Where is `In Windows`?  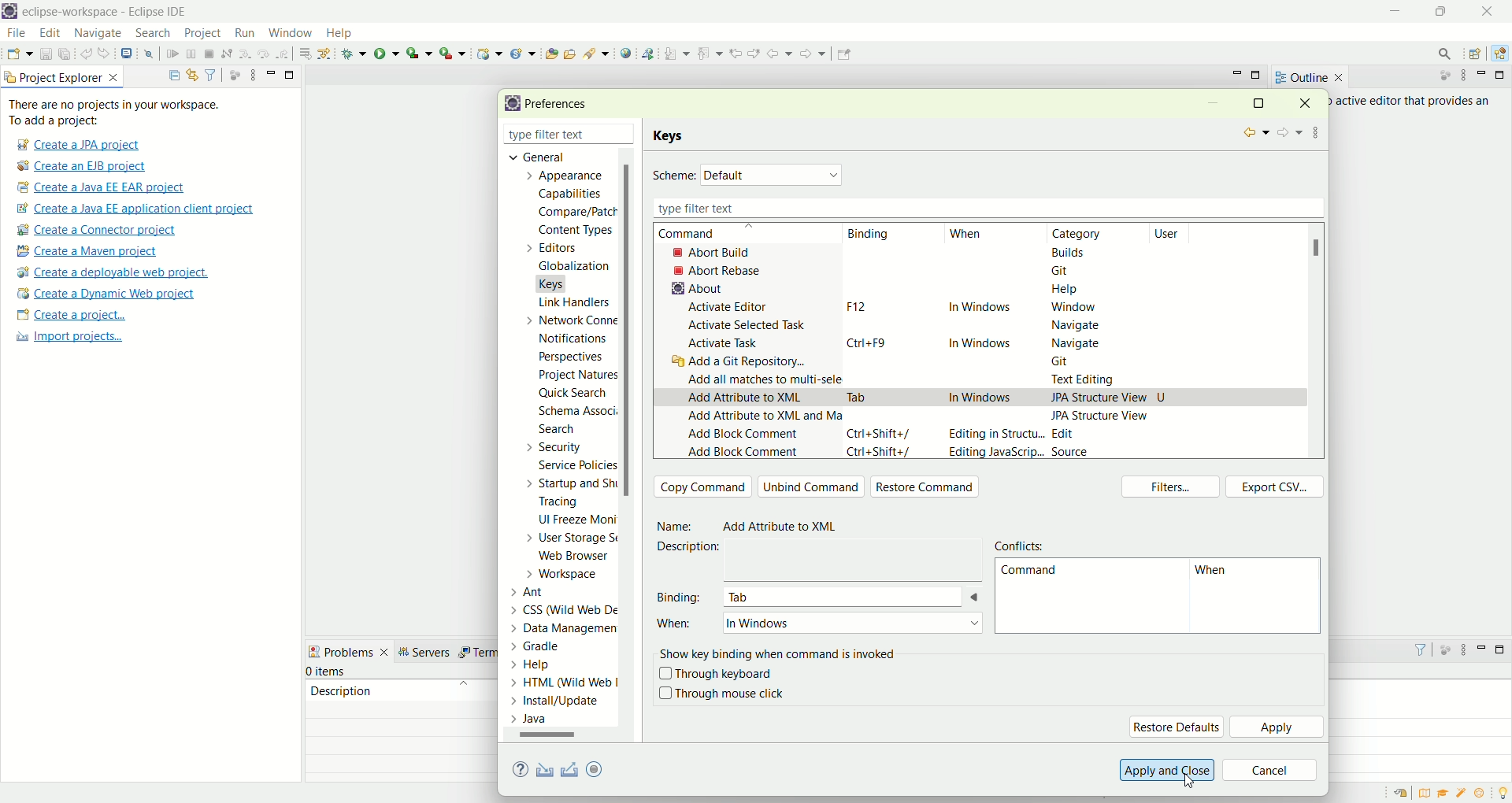
In Windows is located at coordinates (970, 398).